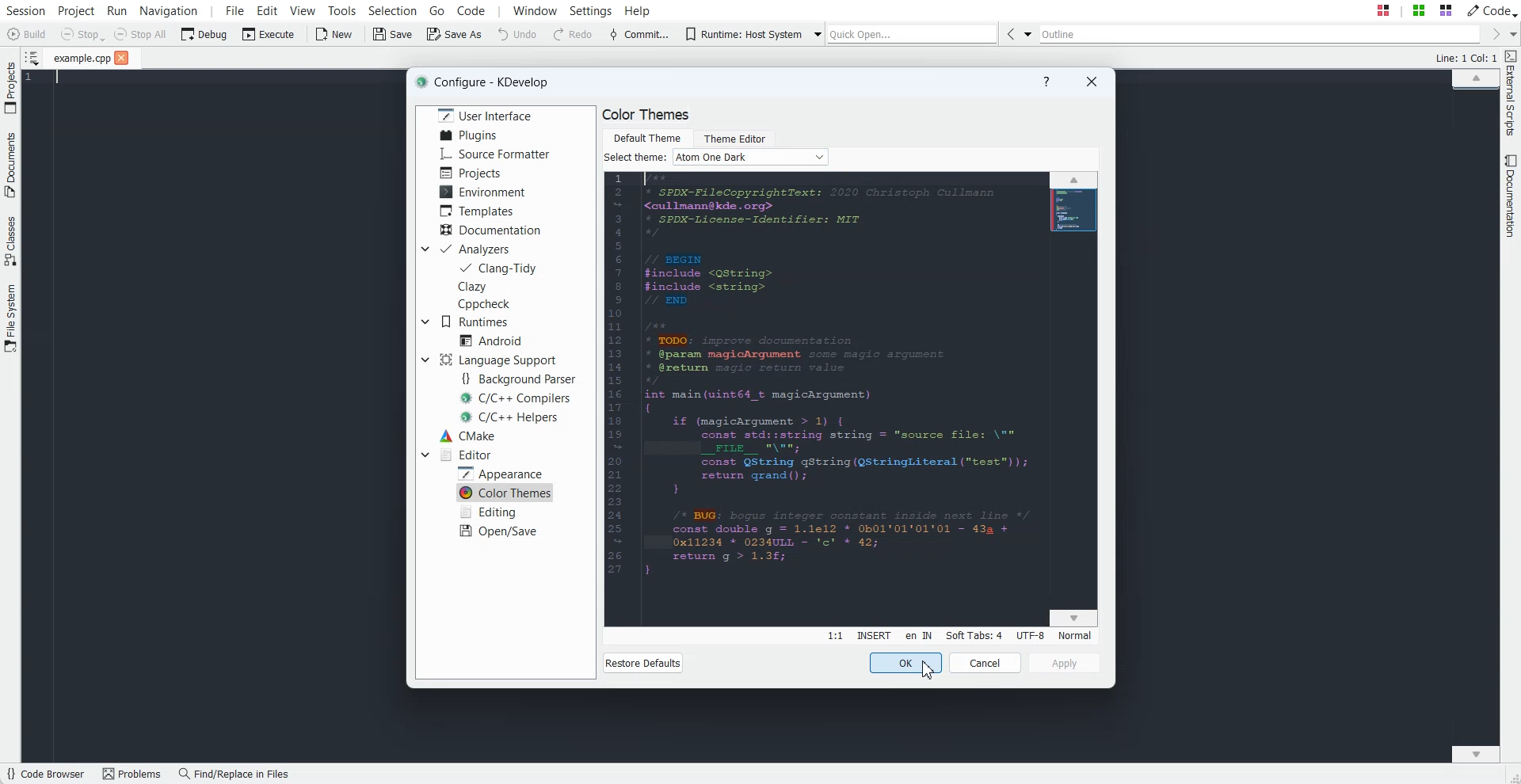  Describe the element at coordinates (635, 158) in the screenshot. I see `Text` at that location.